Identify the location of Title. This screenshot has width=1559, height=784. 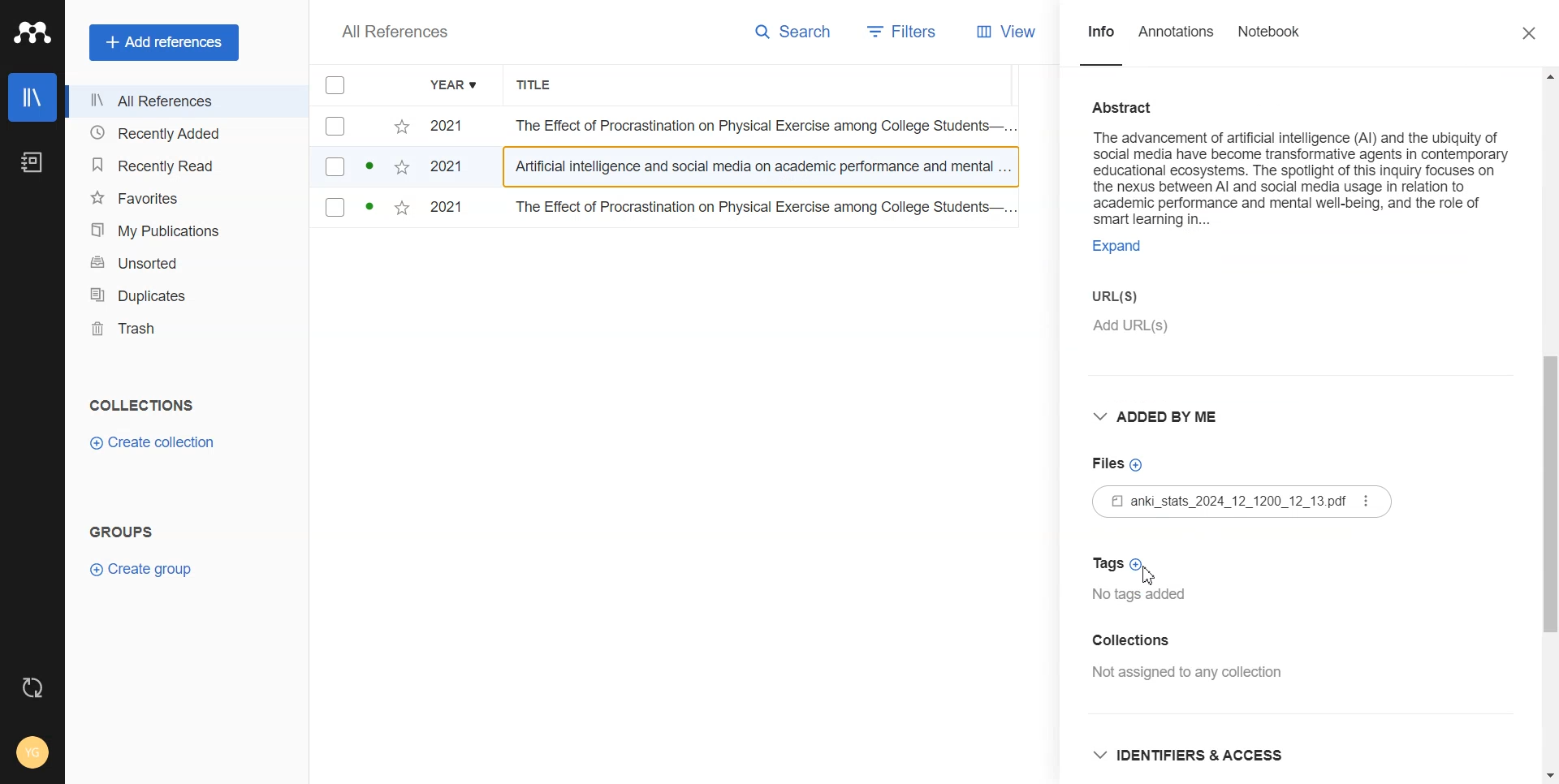
(543, 86).